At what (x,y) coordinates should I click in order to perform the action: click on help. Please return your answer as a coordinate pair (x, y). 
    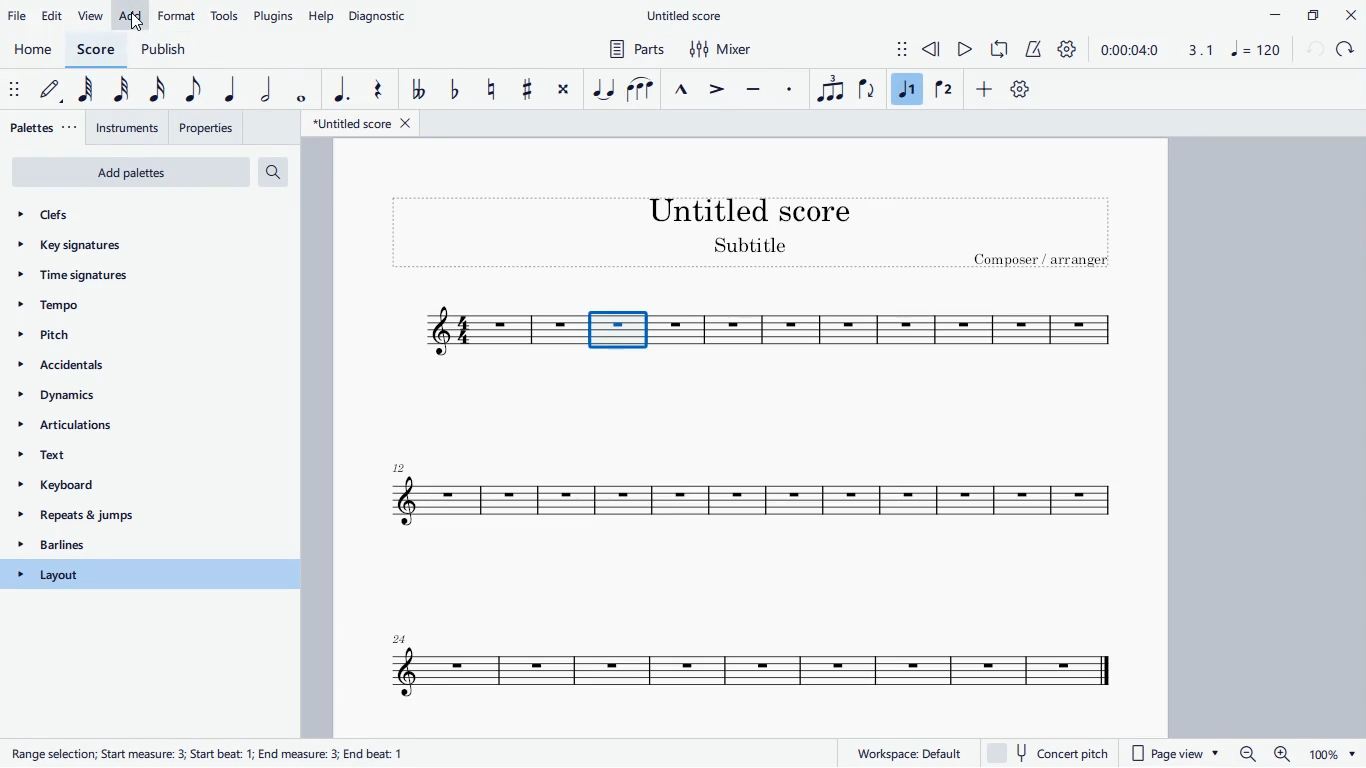
    Looking at the image, I should click on (323, 15).